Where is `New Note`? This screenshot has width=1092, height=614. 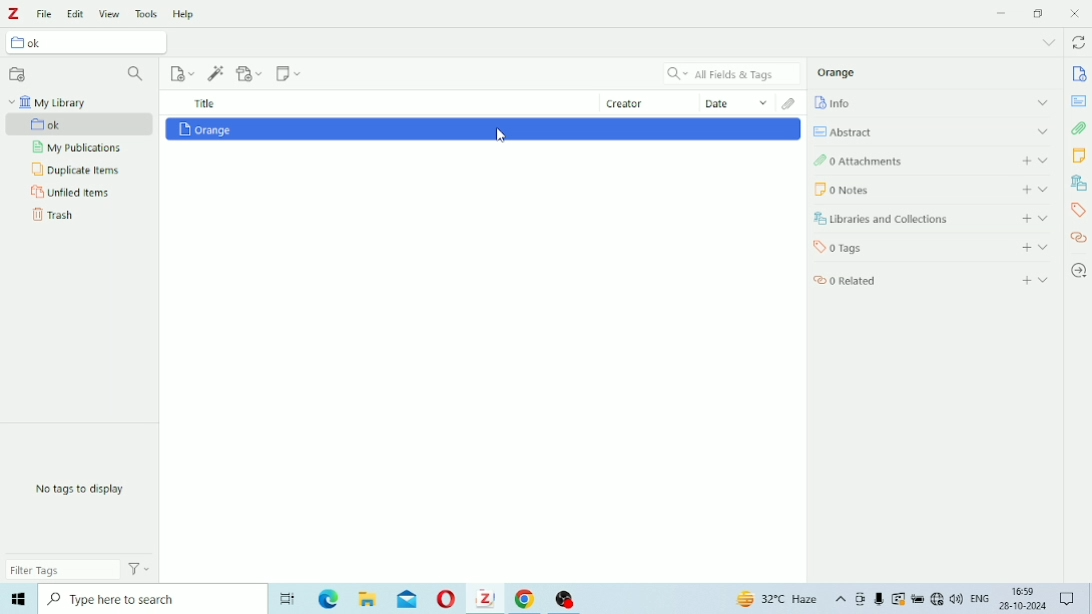
New Note is located at coordinates (289, 73).